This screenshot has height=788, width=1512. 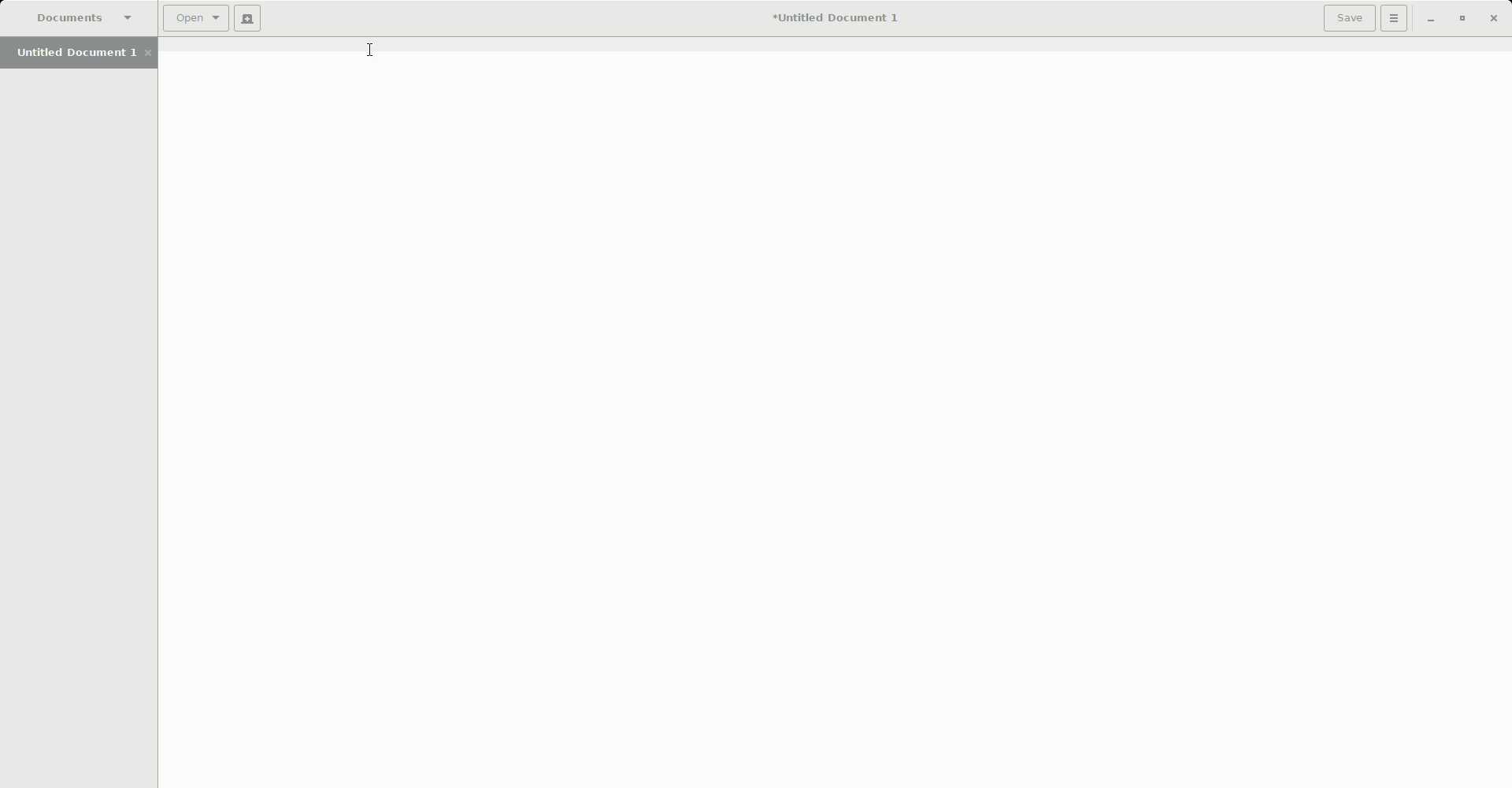 What do you see at coordinates (85, 17) in the screenshot?
I see `Documents` at bounding box center [85, 17].